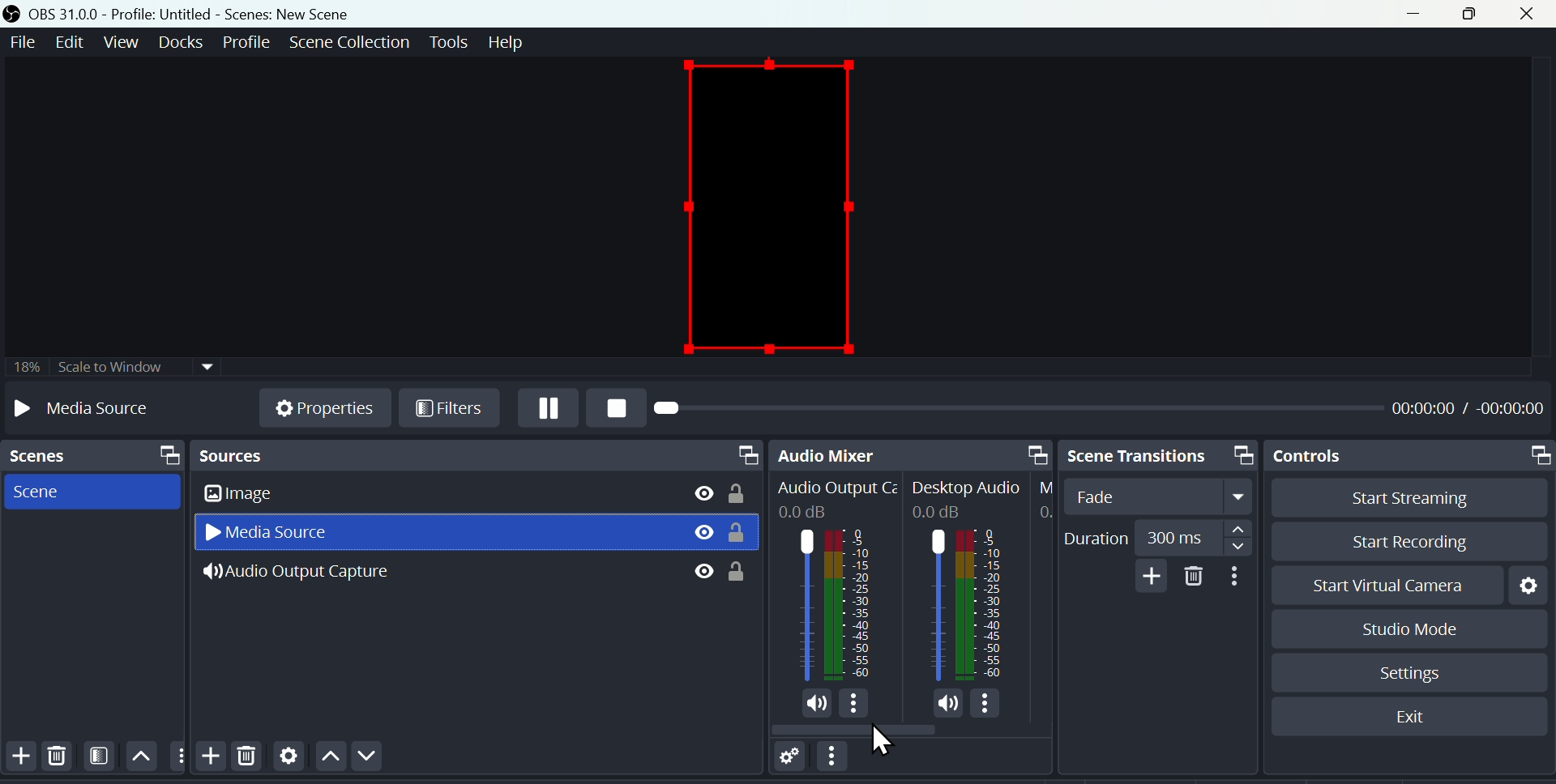 The width and height of the screenshot is (1556, 784). What do you see at coordinates (72, 43) in the screenshot?
I see `Edit` at bounding box center [72, 43].